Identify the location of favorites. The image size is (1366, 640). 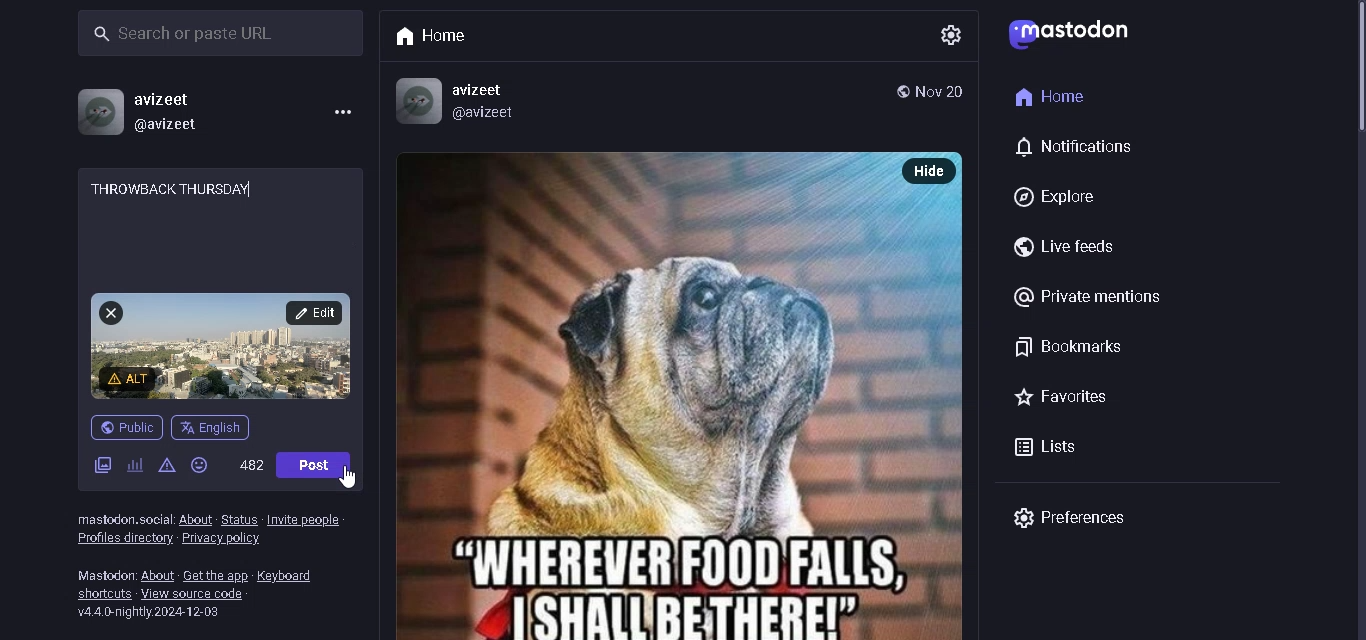
(1079, 398).